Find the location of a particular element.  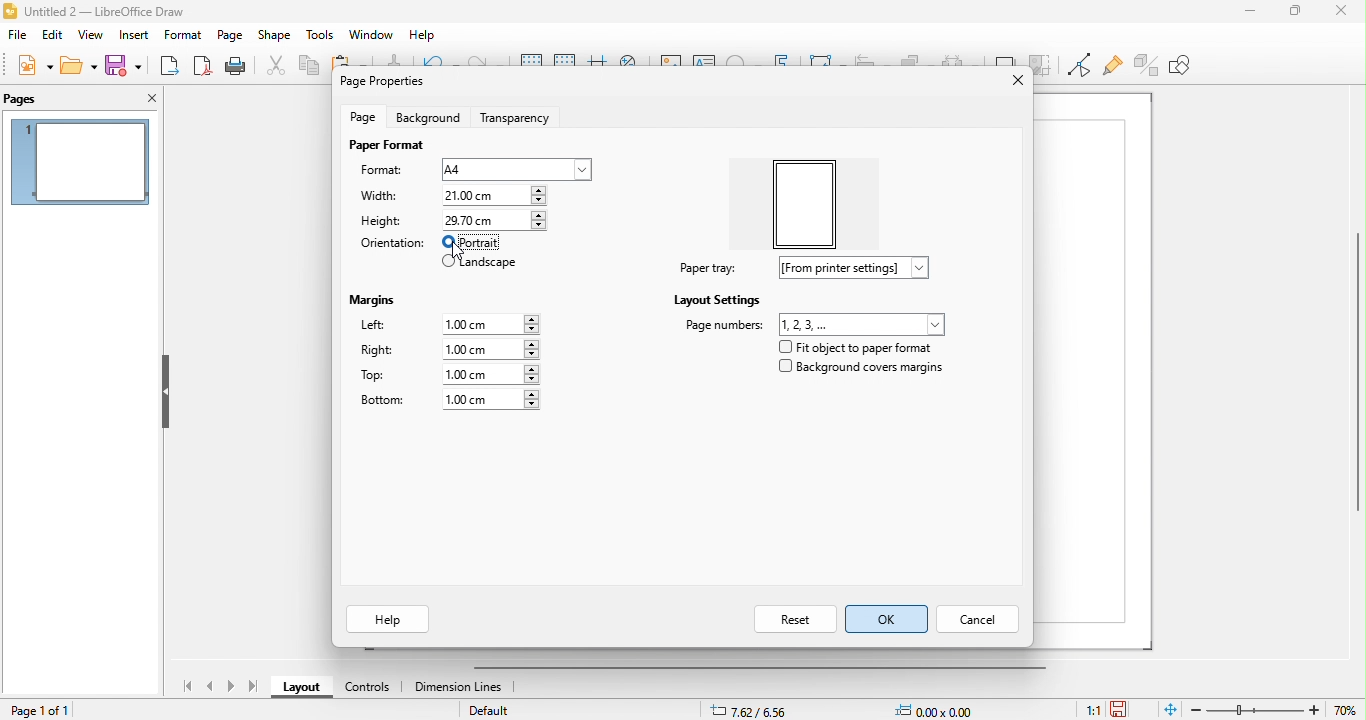

landscape is located at coordinates (481, 264).